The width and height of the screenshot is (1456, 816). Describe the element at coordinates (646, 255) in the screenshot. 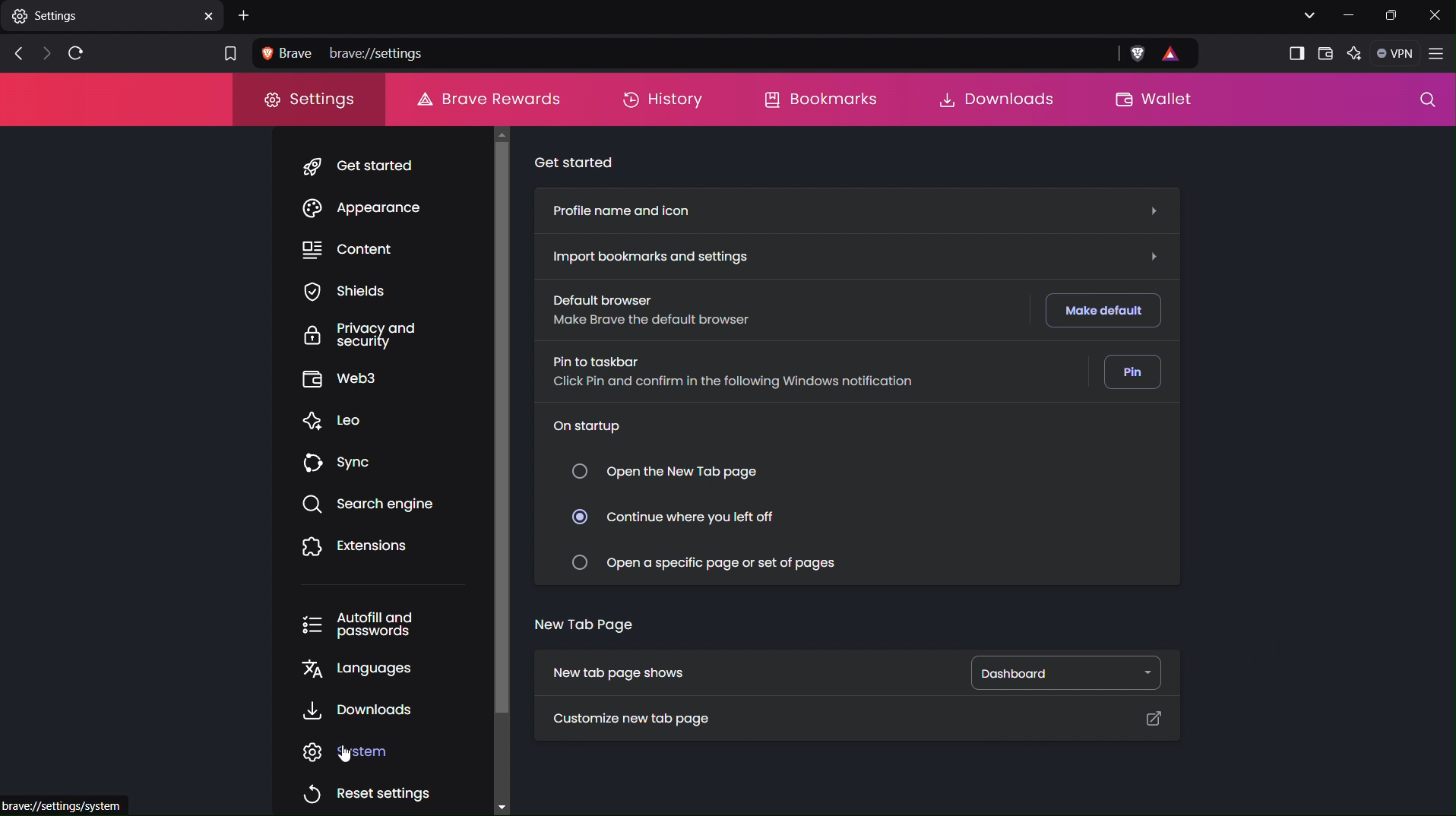

I see `Import bookmarks and settings` at that location.